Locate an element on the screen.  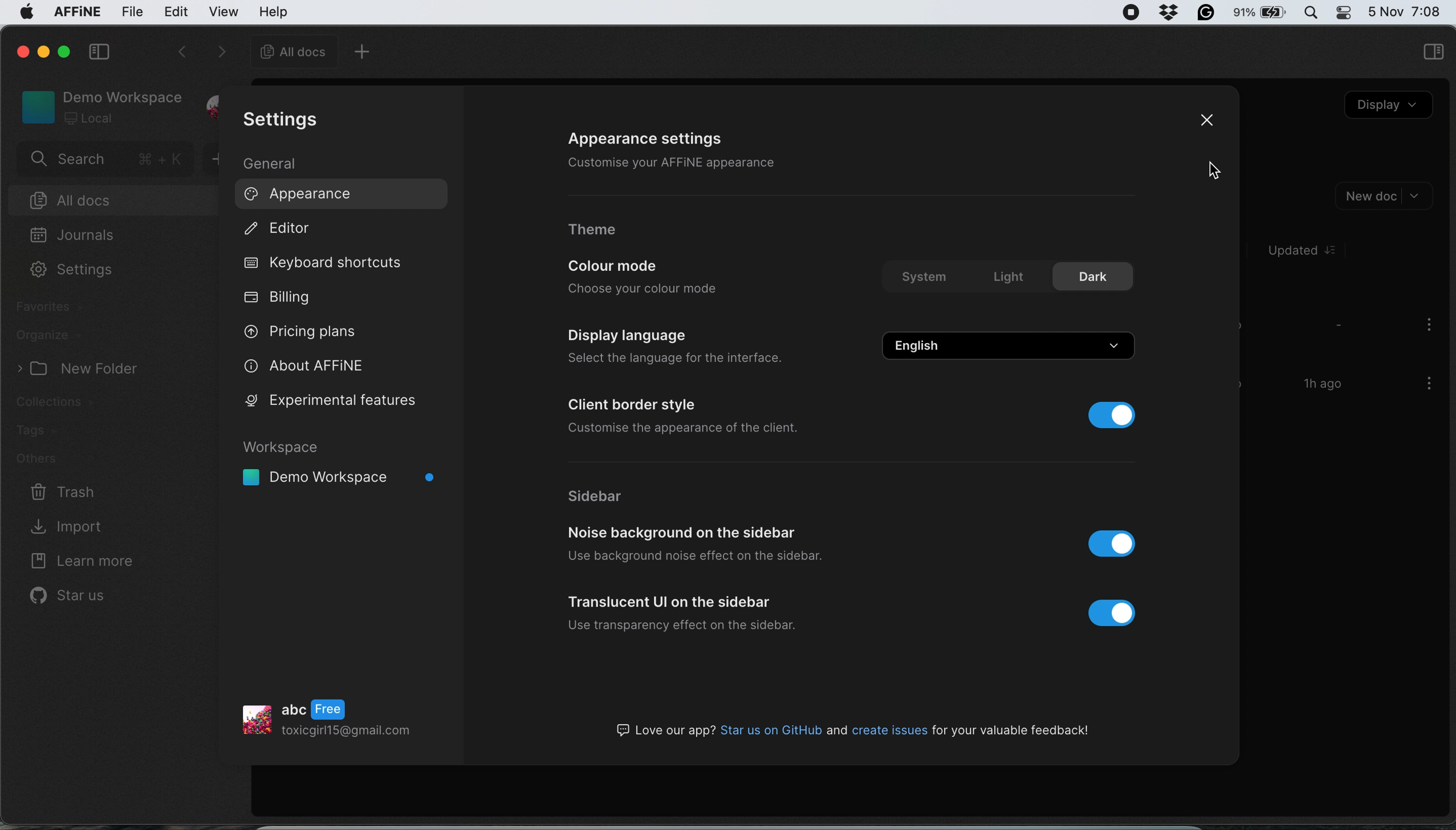
use transparency effect on the sidebar is located at coordinates (686, 623).